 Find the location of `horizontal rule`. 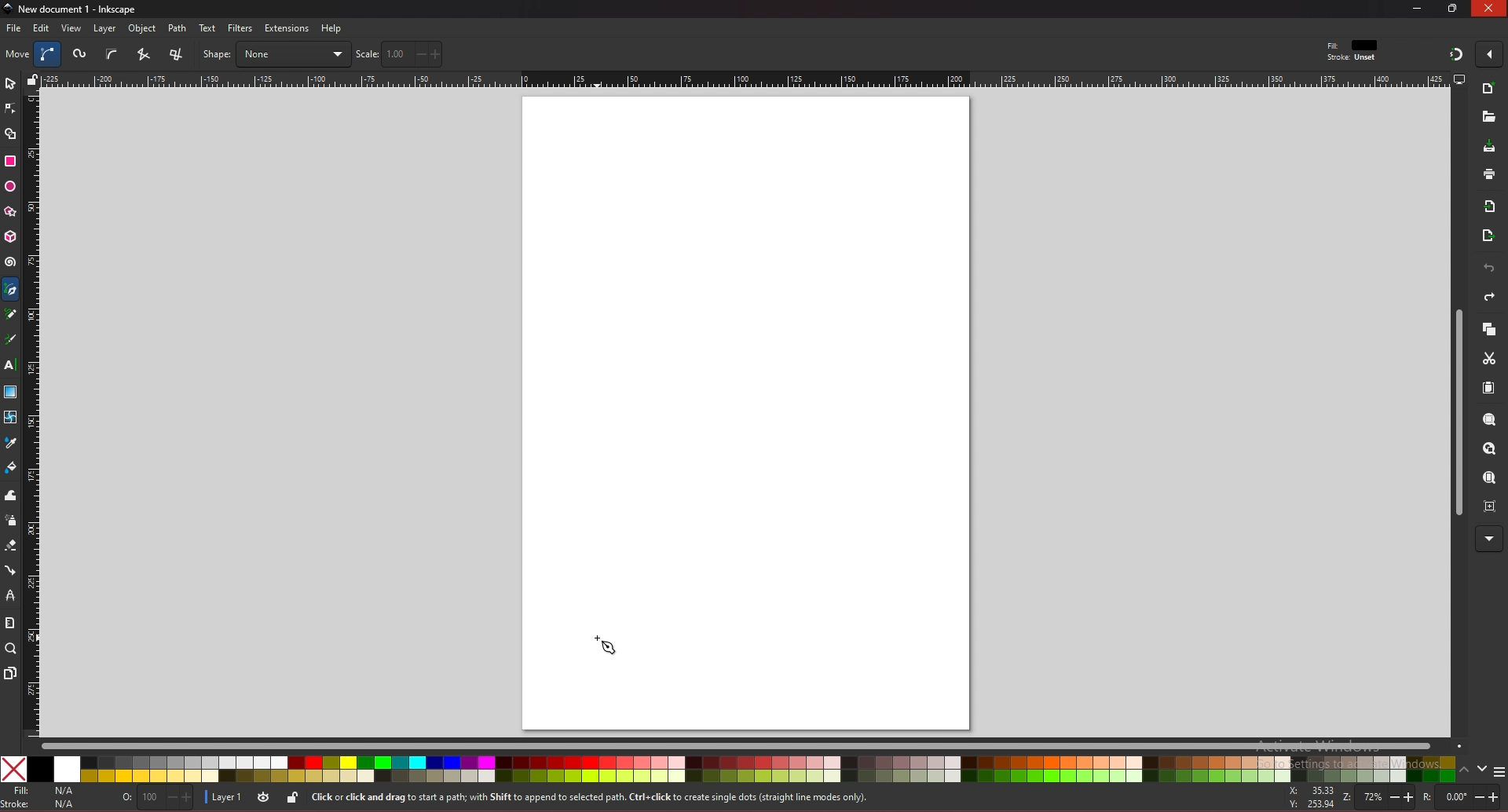

horizontal rule is located at coordinates (745, 79).